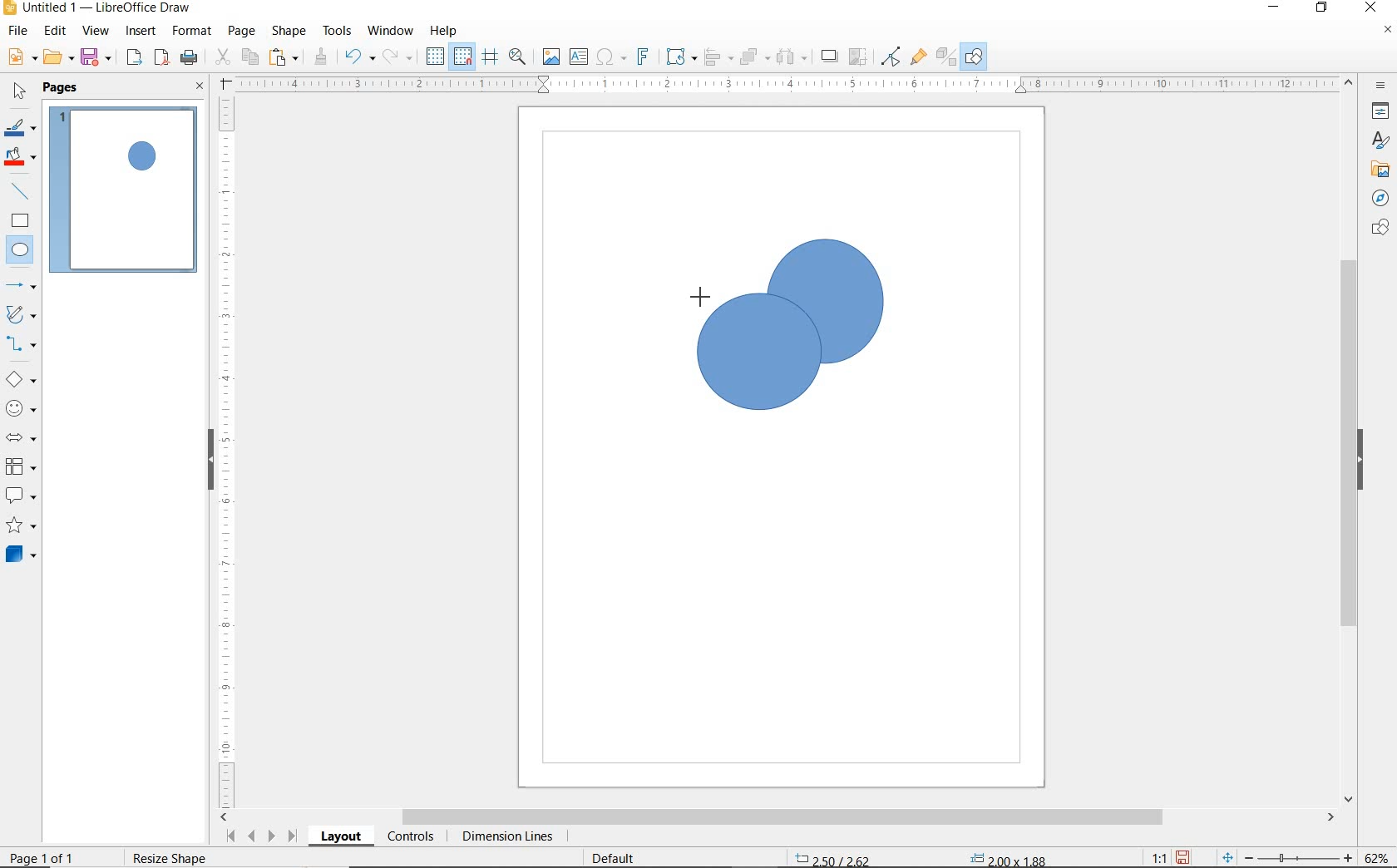  Describe the element at coordinates (830, 58) in the screenshot. I see `SHADOW` at that location.